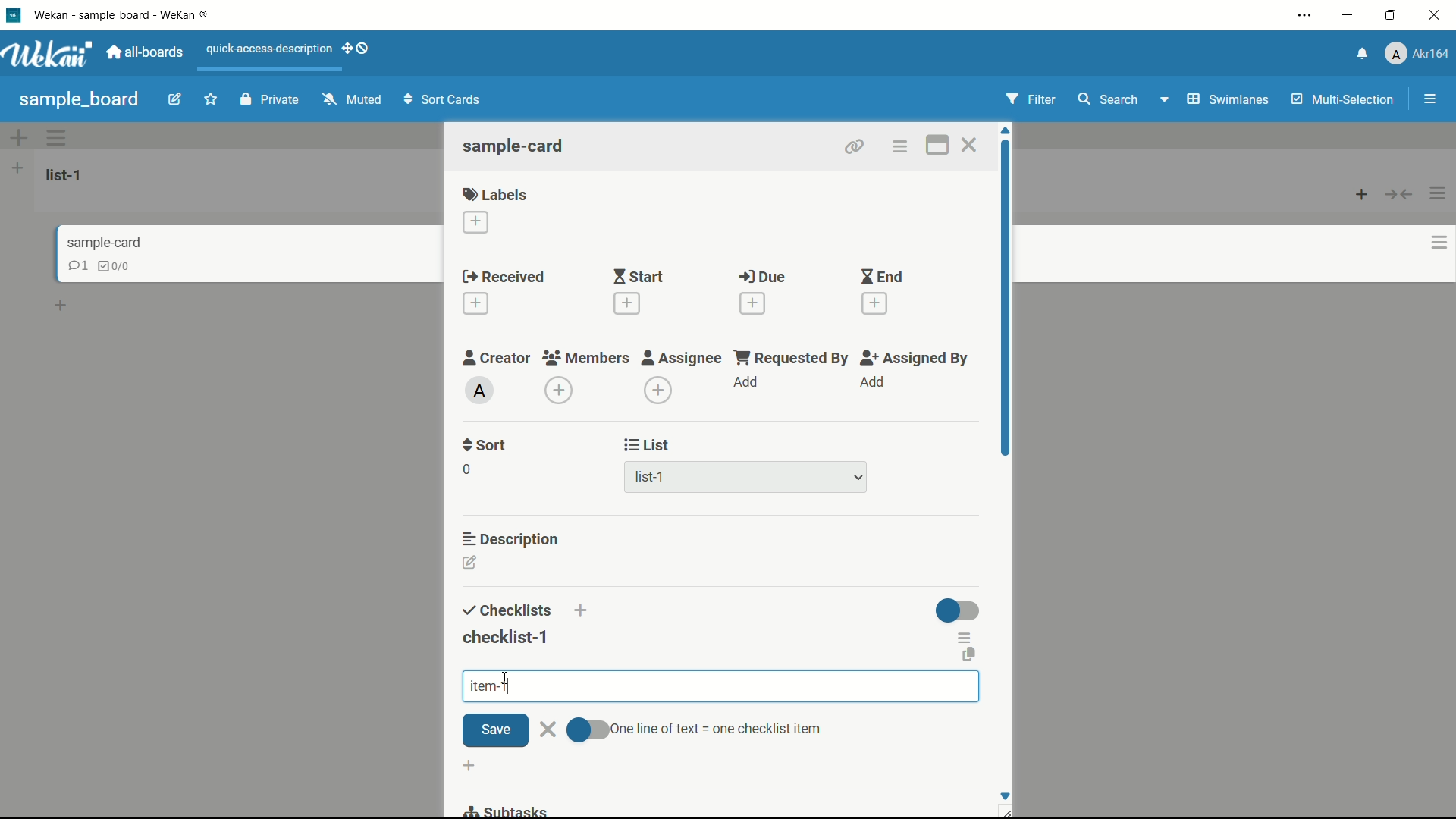 The height and width of the screenshot is (819, 1456). What do you see at coordinates (515, 539) in the screenshot?
I see `description` at bounding box center [515, 539].